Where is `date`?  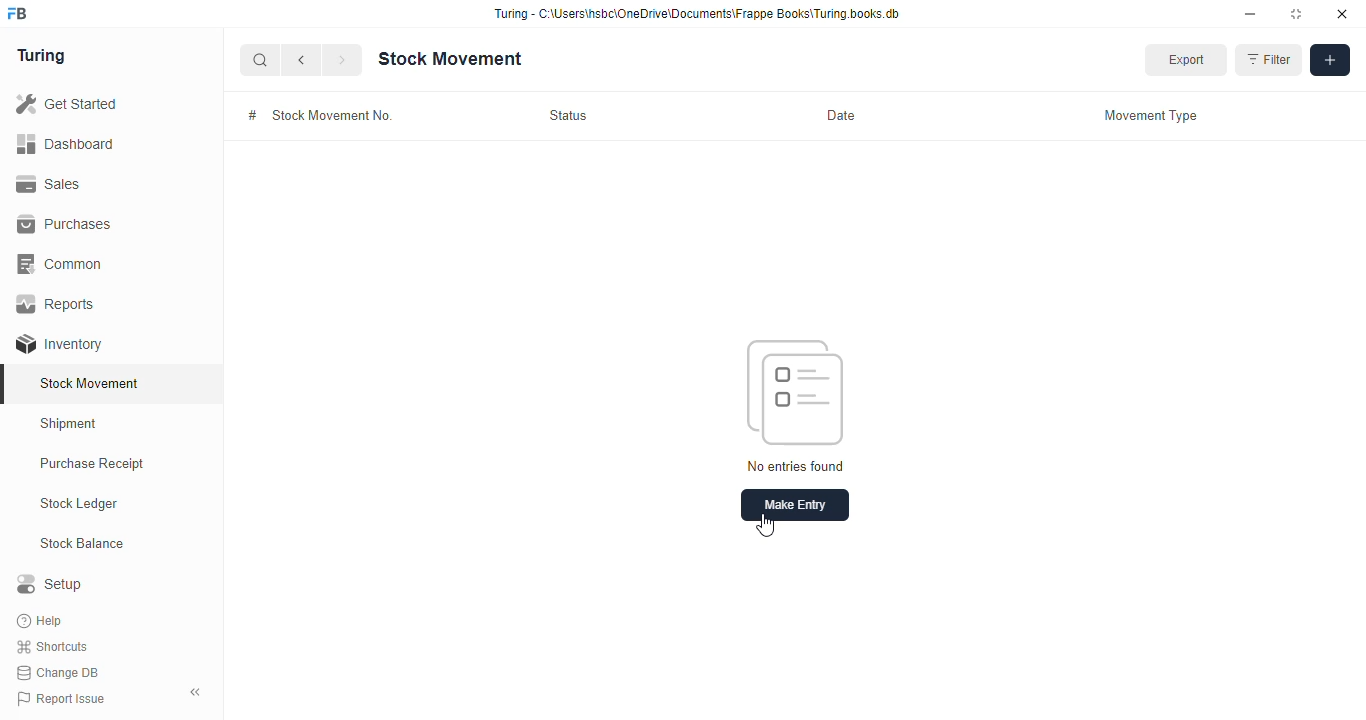
date is located at coordinates (842, 115).